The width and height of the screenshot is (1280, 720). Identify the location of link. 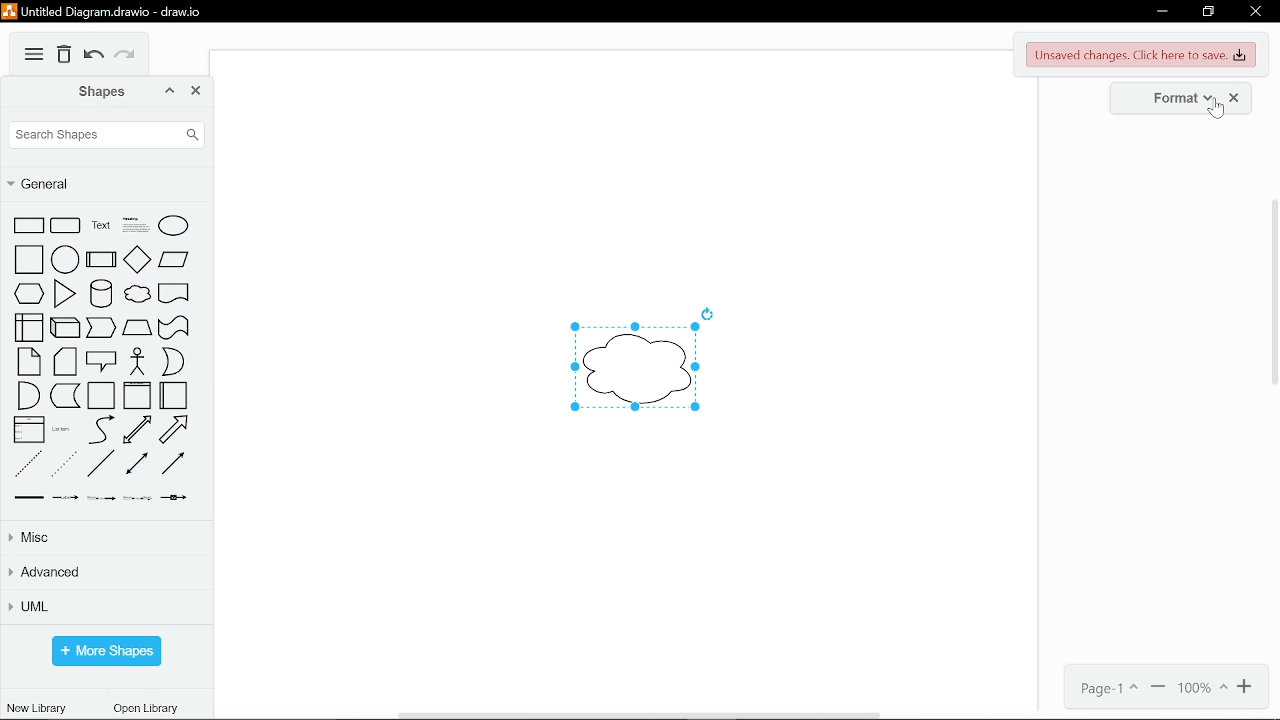
(25, 496).